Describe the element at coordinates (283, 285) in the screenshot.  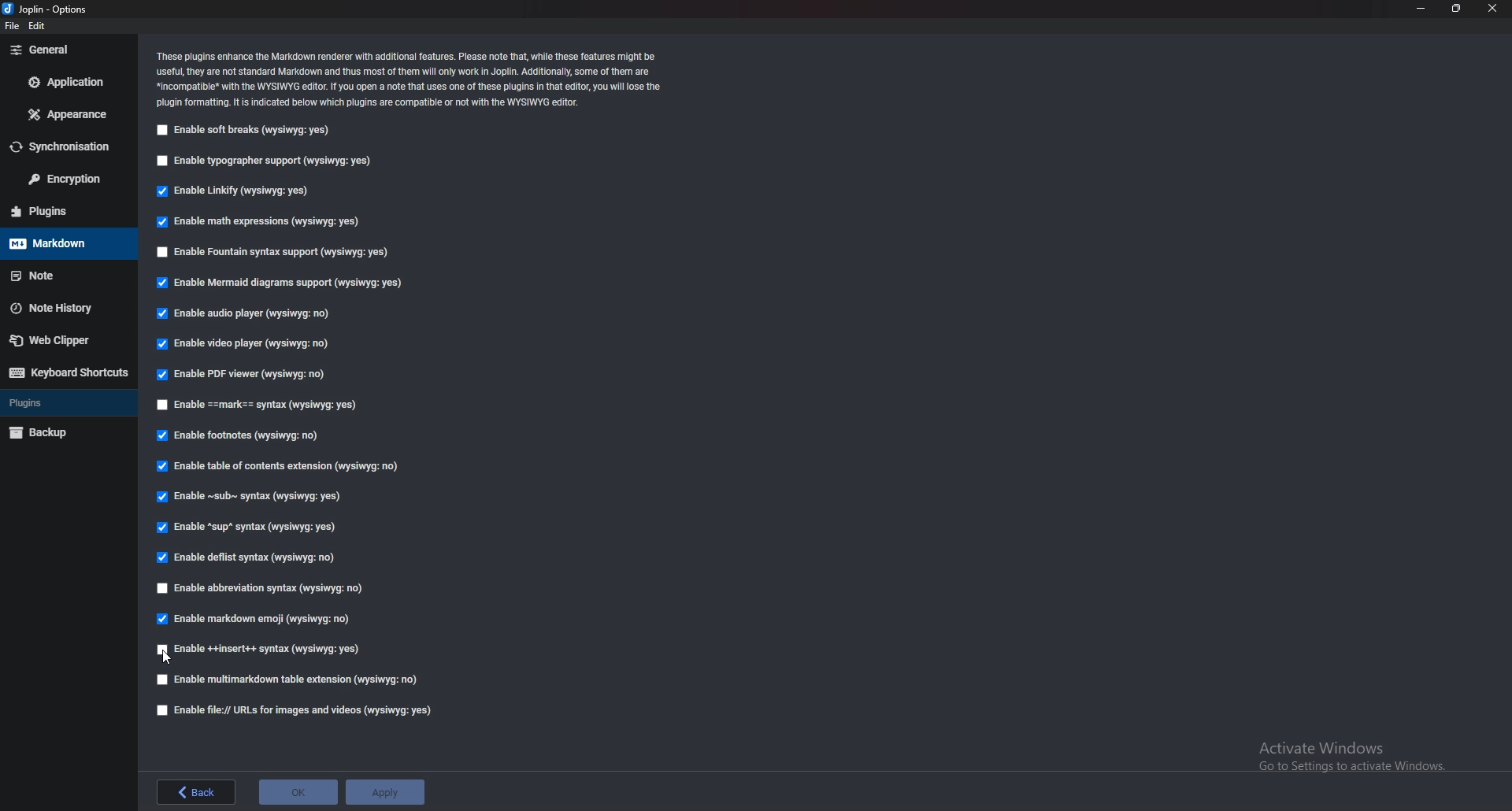
I see `enable mermaid diagrams support` at that location.